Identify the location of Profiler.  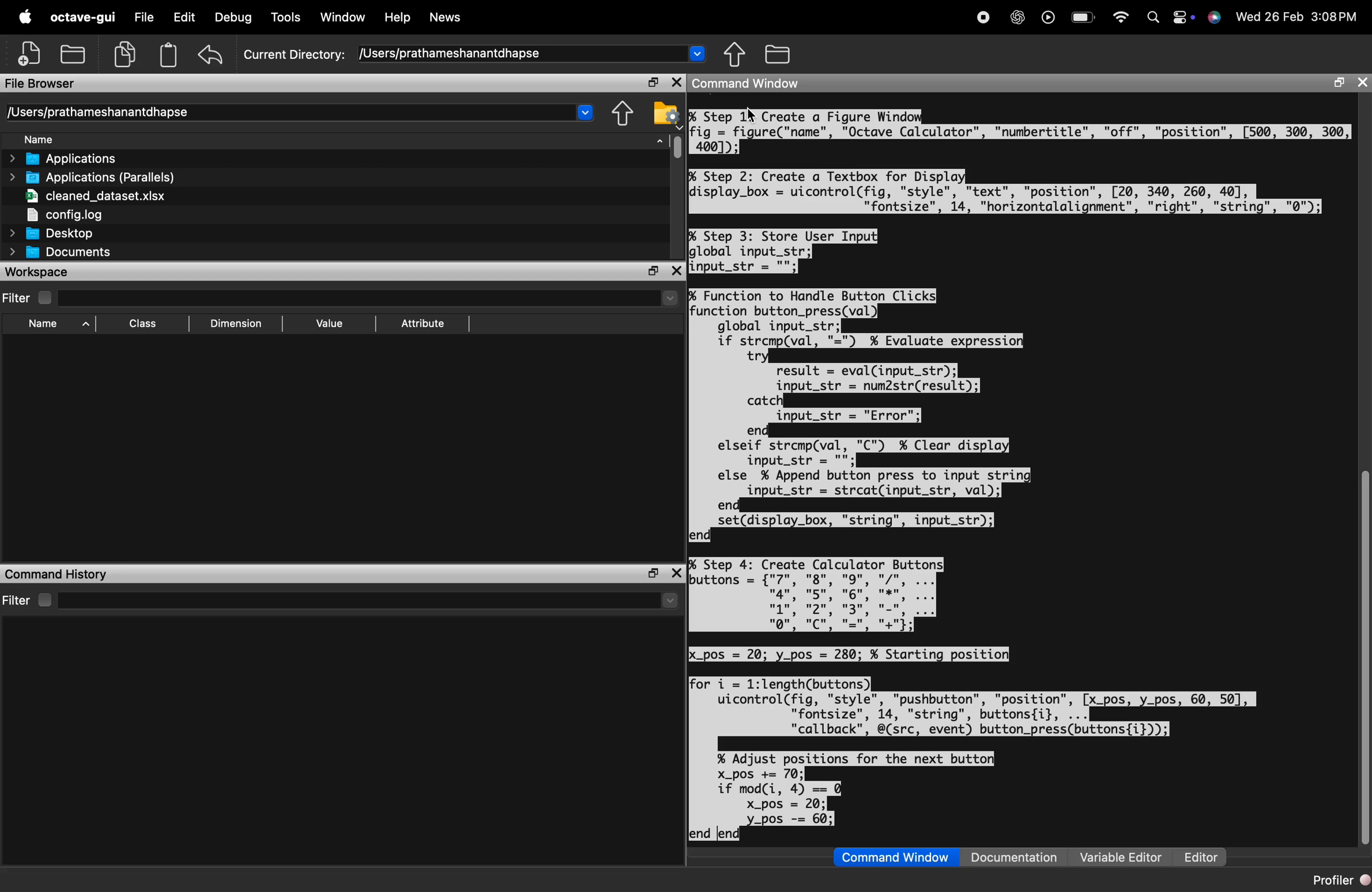
(1337, 878).